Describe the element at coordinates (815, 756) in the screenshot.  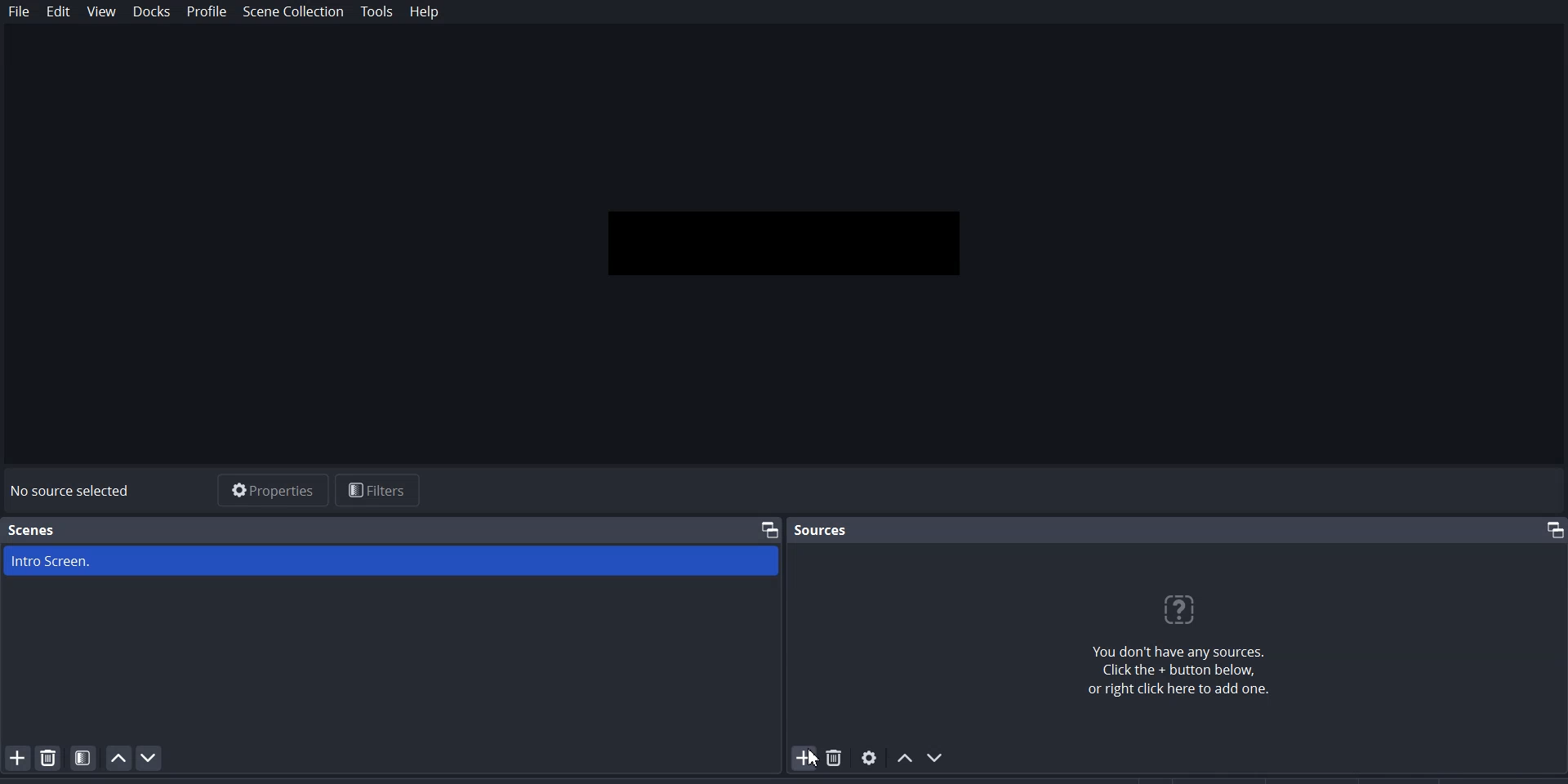
I see `Cursor` at that location.